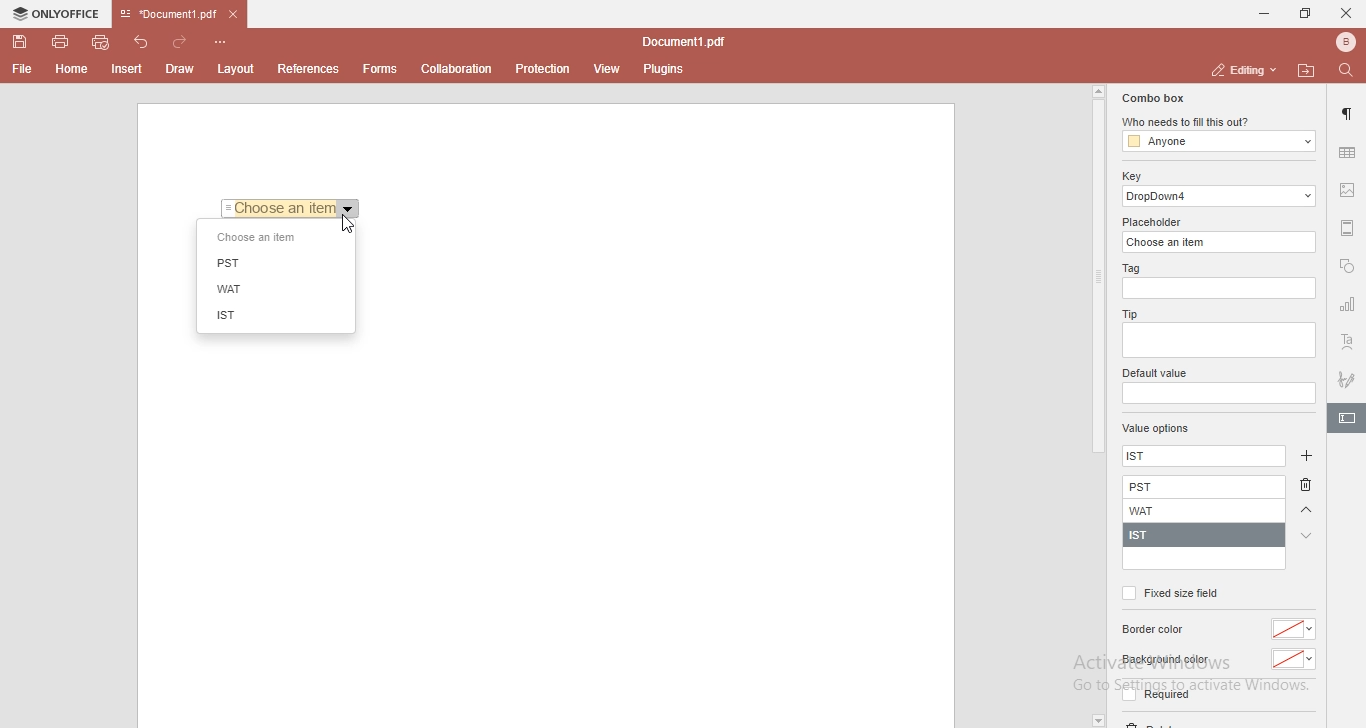 The image size is (1366, 728). Describe the element at coordinates (236, 262) in the screenshot. I see `PST` at that location.